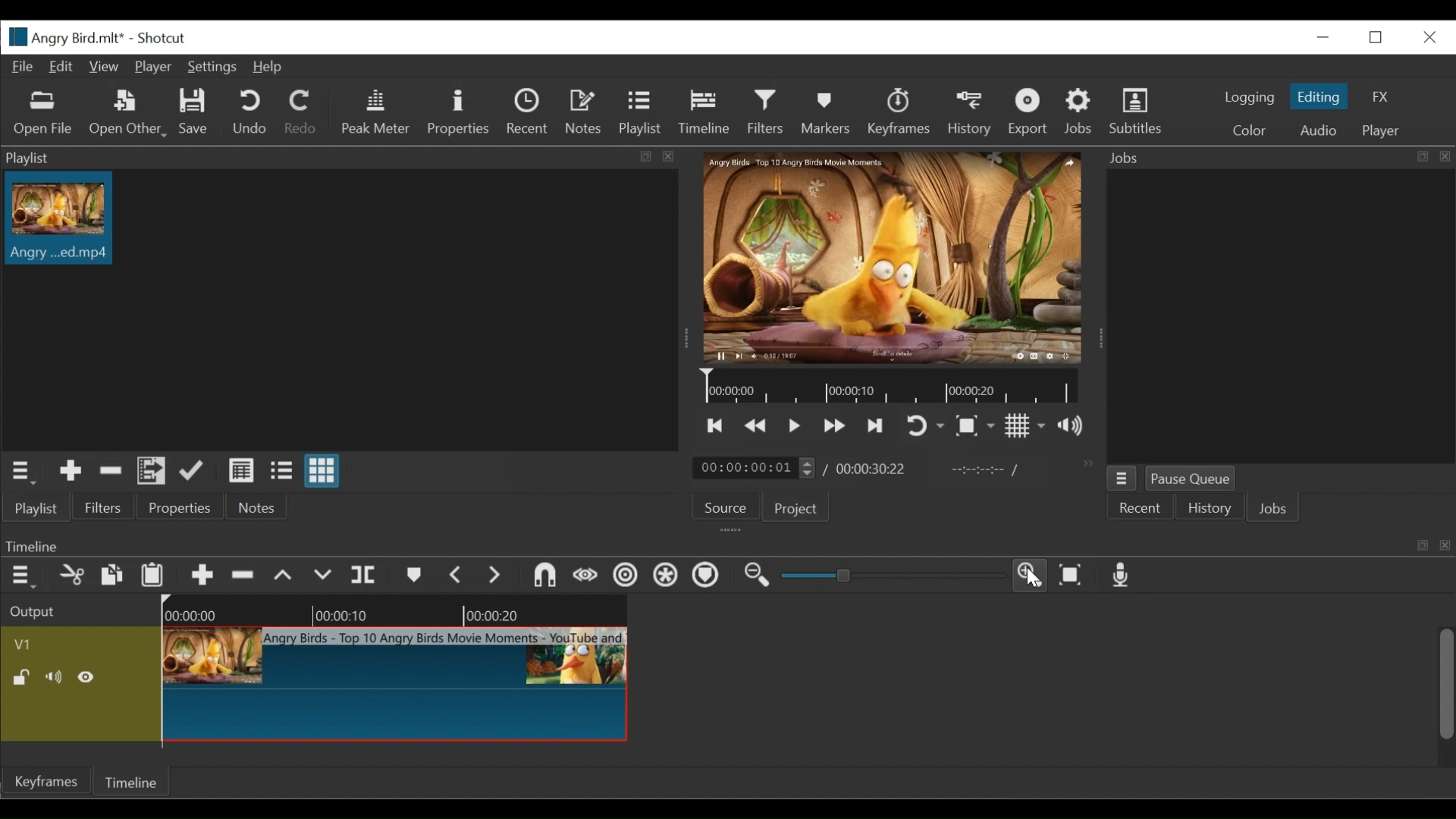 This screenshot has width=1456, height=819. Describe the element at coordinates (58, 219) in the screenshot. I see `Clip` at that location.